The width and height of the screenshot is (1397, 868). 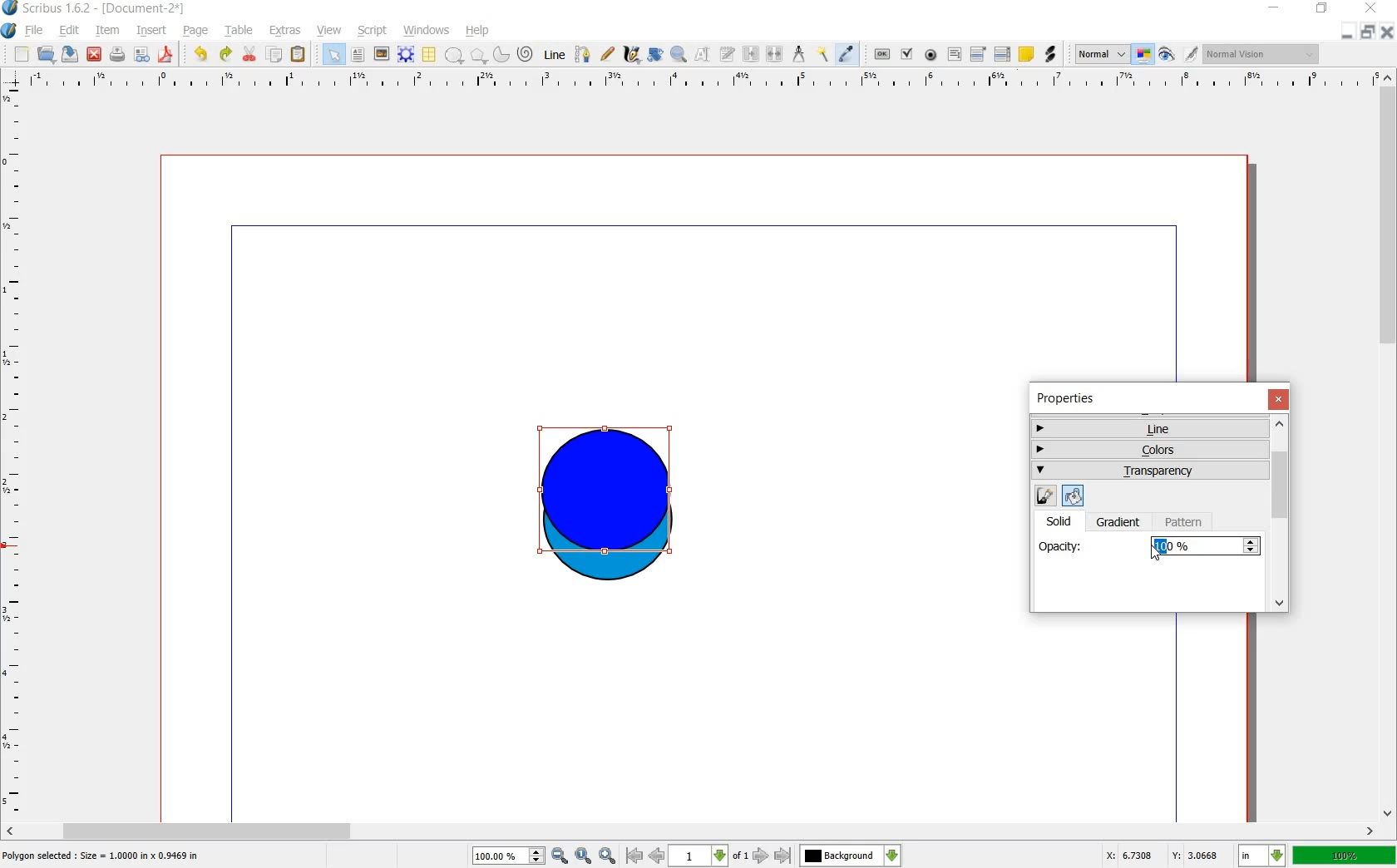 What do you see at coordinates (198, 31) in the screenshot?
I see `page` at bounding box center [198, 31].